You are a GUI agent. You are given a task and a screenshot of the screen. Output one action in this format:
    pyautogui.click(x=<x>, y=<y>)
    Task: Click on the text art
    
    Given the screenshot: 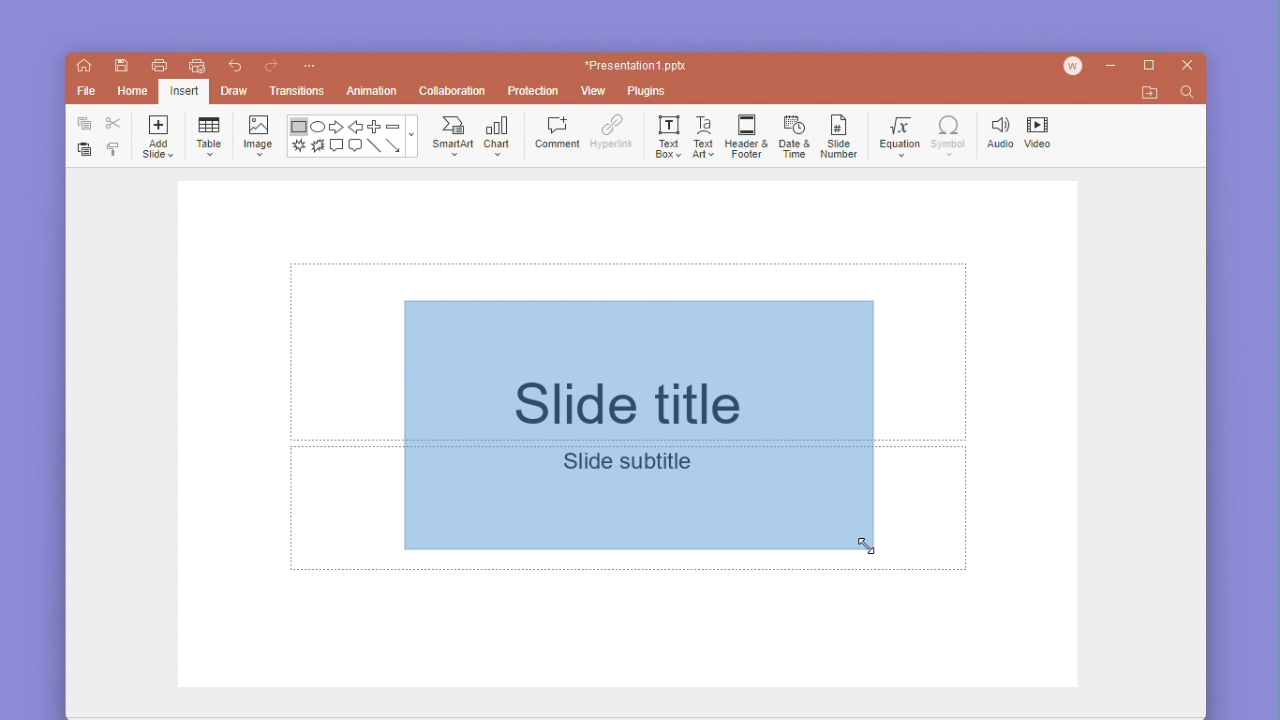 What is the action you would take?
    pyautogui.click(x=704, y=134)
    